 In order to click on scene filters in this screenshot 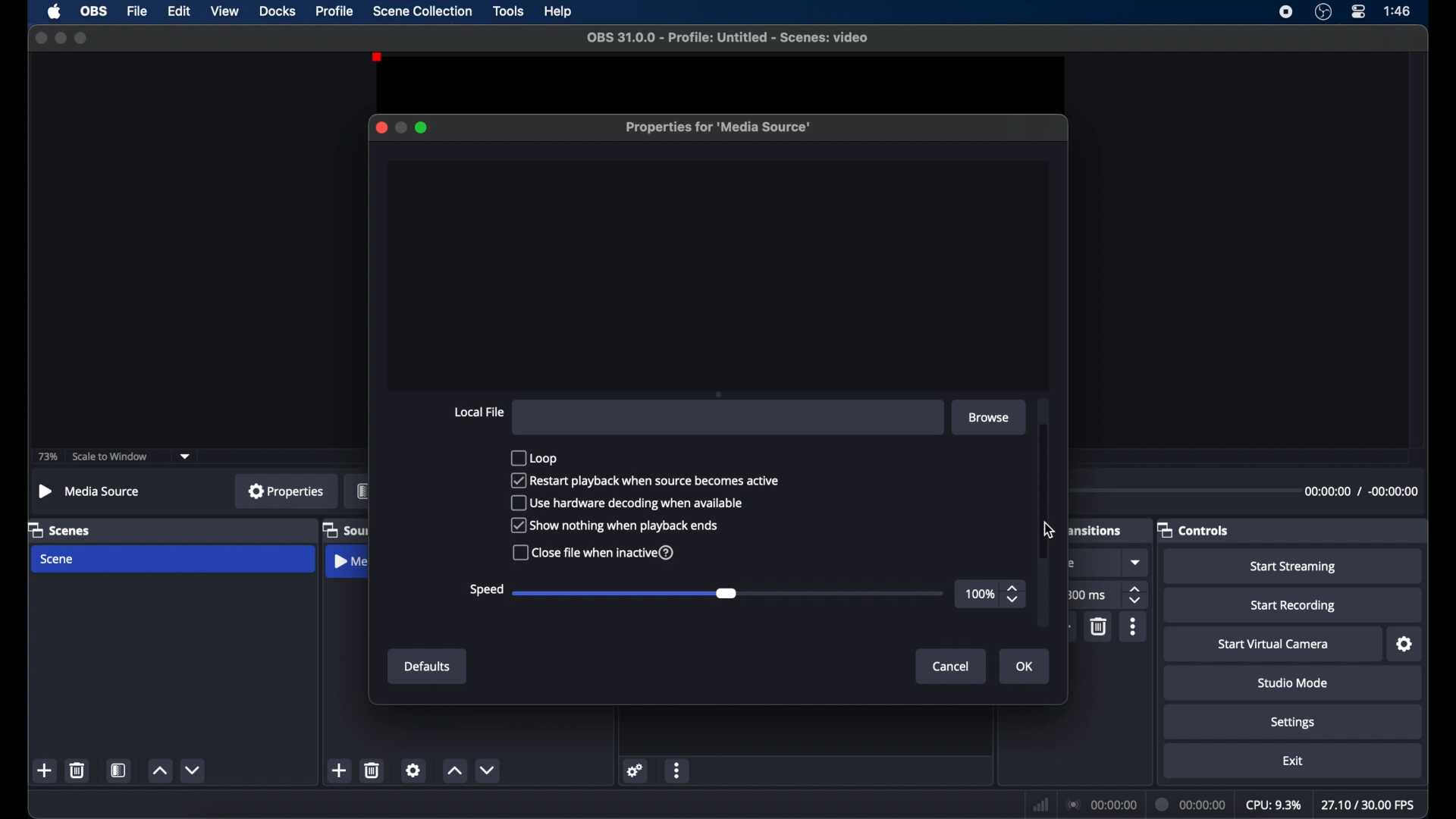, I will do `click(118, 770)`.